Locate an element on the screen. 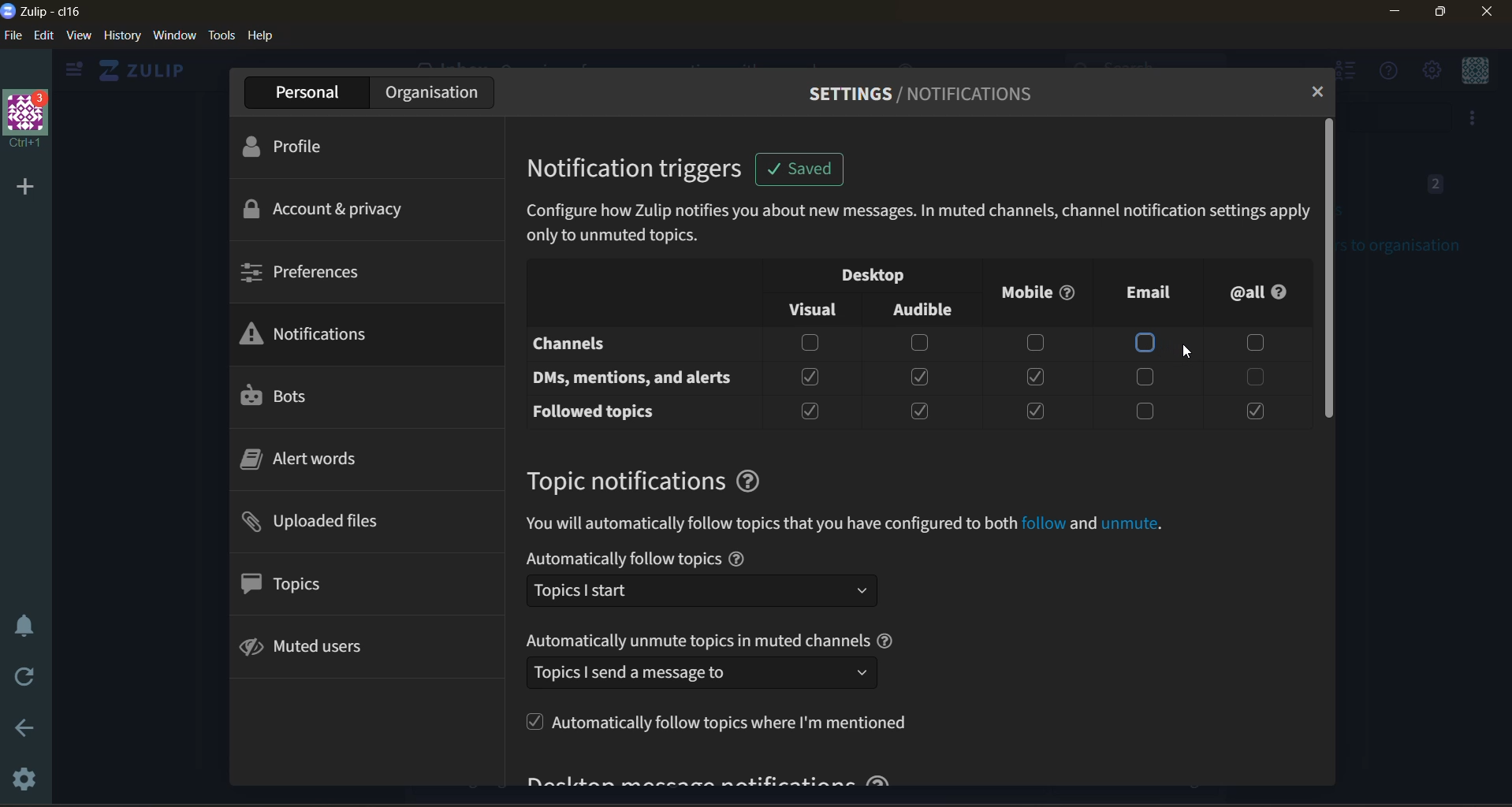 The image size is (1512, 807). maximize is located at coordinates (1437, 13).